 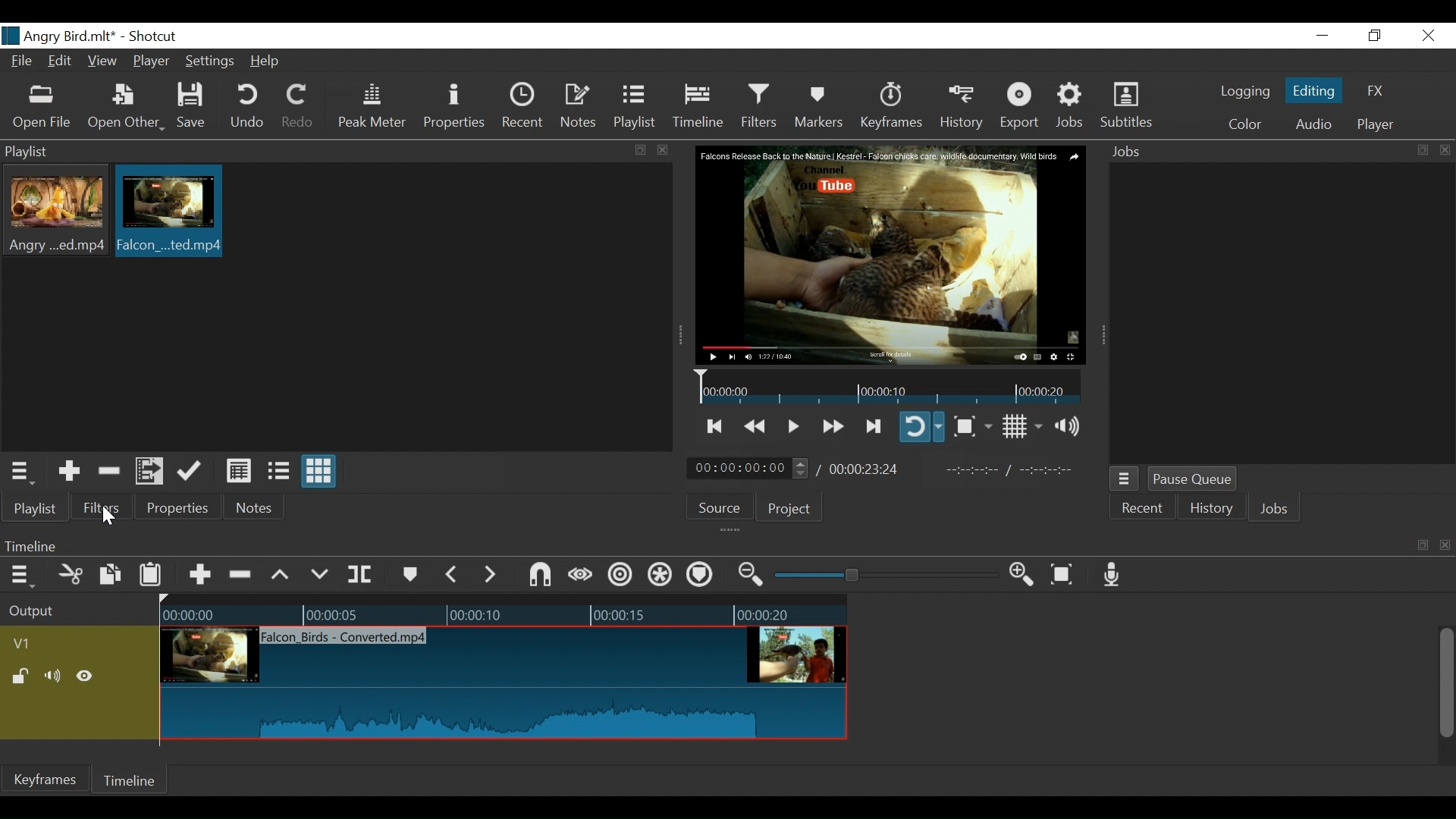 I want to click on Clip, so click(x=57, y=212).